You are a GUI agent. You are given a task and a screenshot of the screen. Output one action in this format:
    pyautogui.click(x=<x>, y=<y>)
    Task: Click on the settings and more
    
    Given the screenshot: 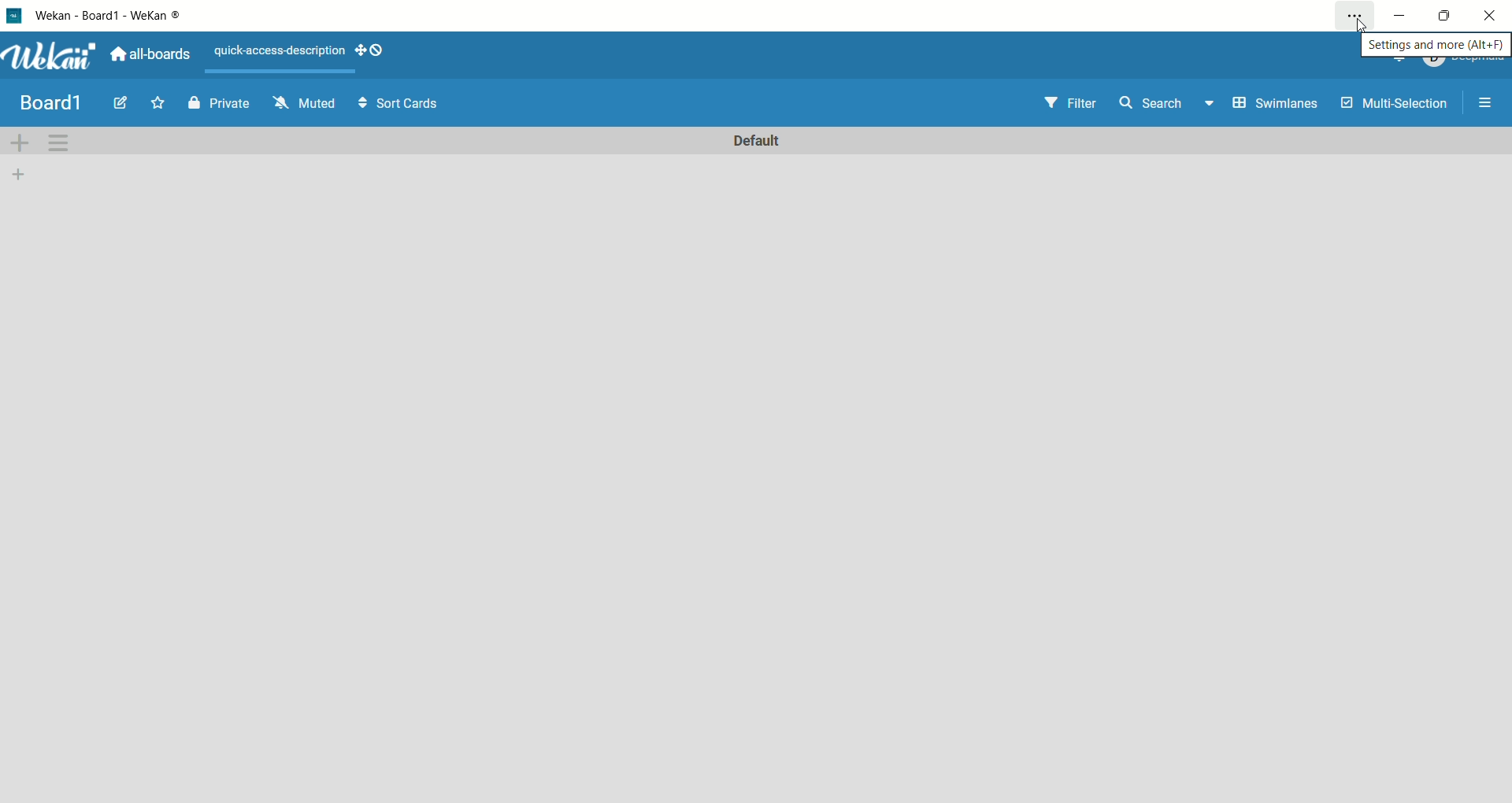 What is the action you would take?
    pyautogui.click(x=1435, y=46)
    